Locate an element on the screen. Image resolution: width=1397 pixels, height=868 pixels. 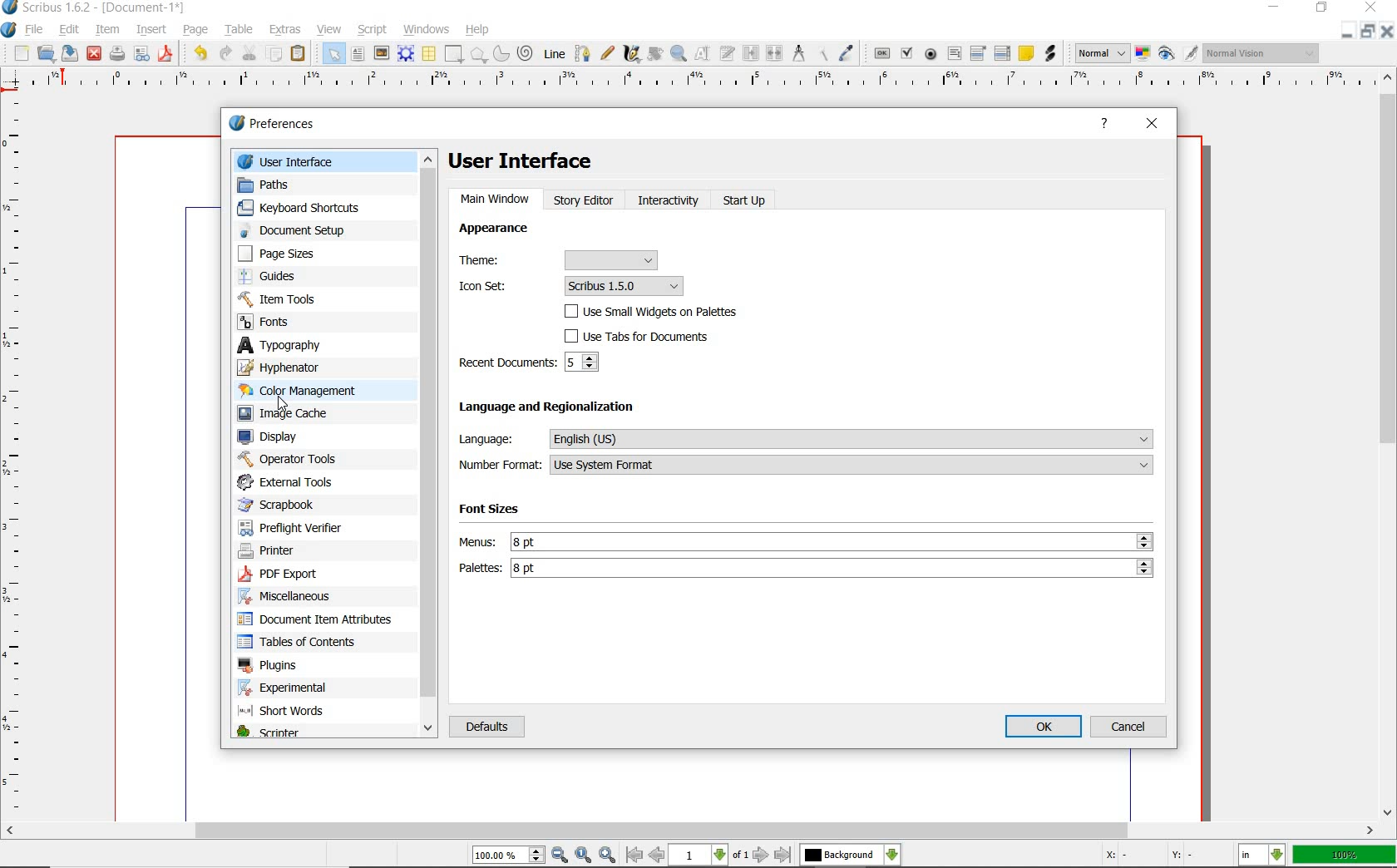
item tools is located at coordinates (297, 299).